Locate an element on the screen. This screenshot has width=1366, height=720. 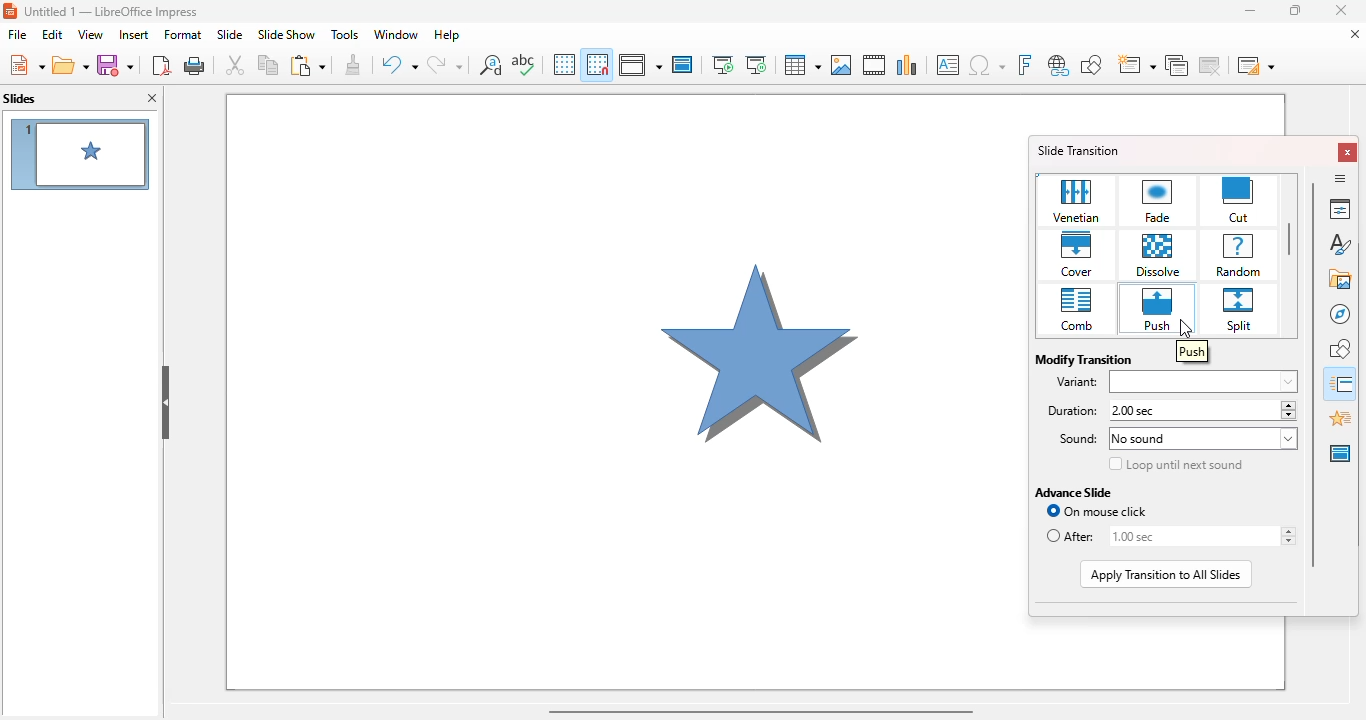
close pane is located at coordinates (152, 97).